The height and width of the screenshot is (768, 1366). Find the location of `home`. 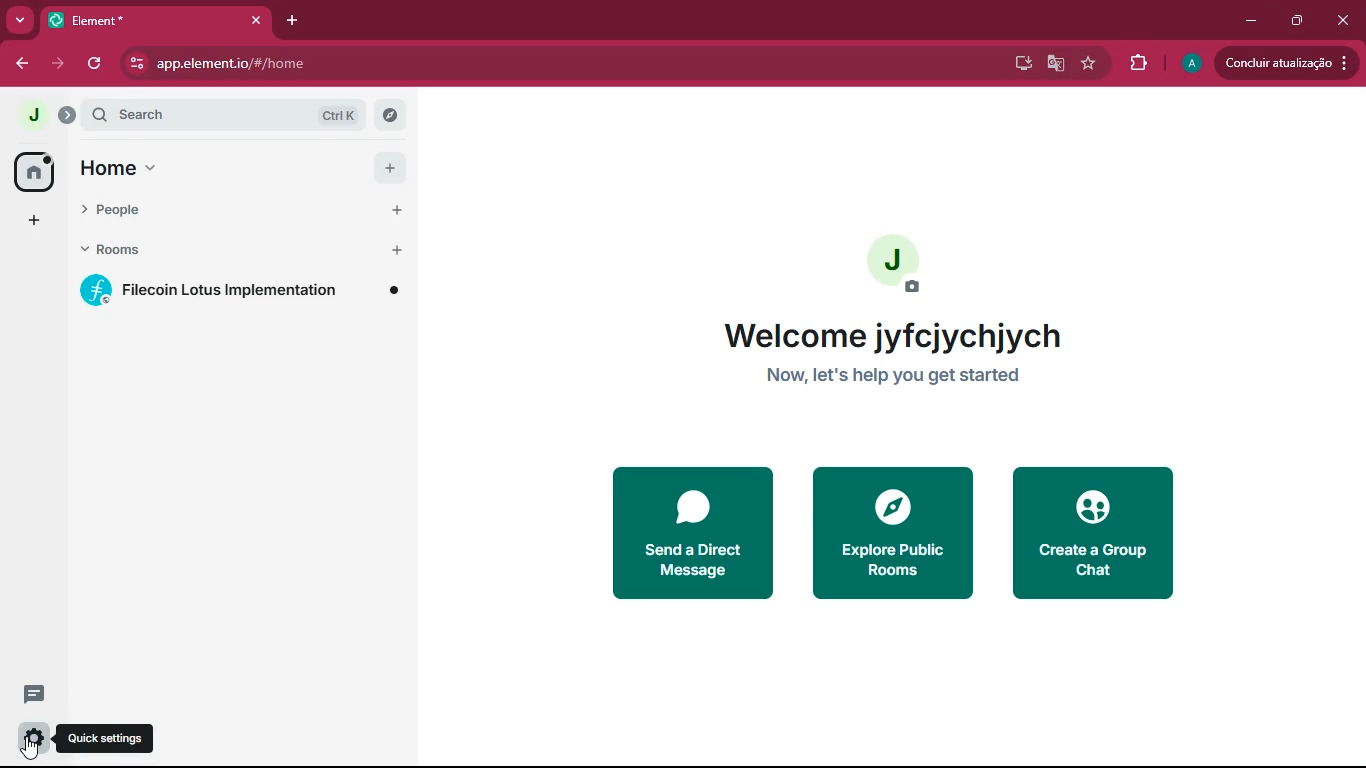

home is located at coordinates (208, 171).